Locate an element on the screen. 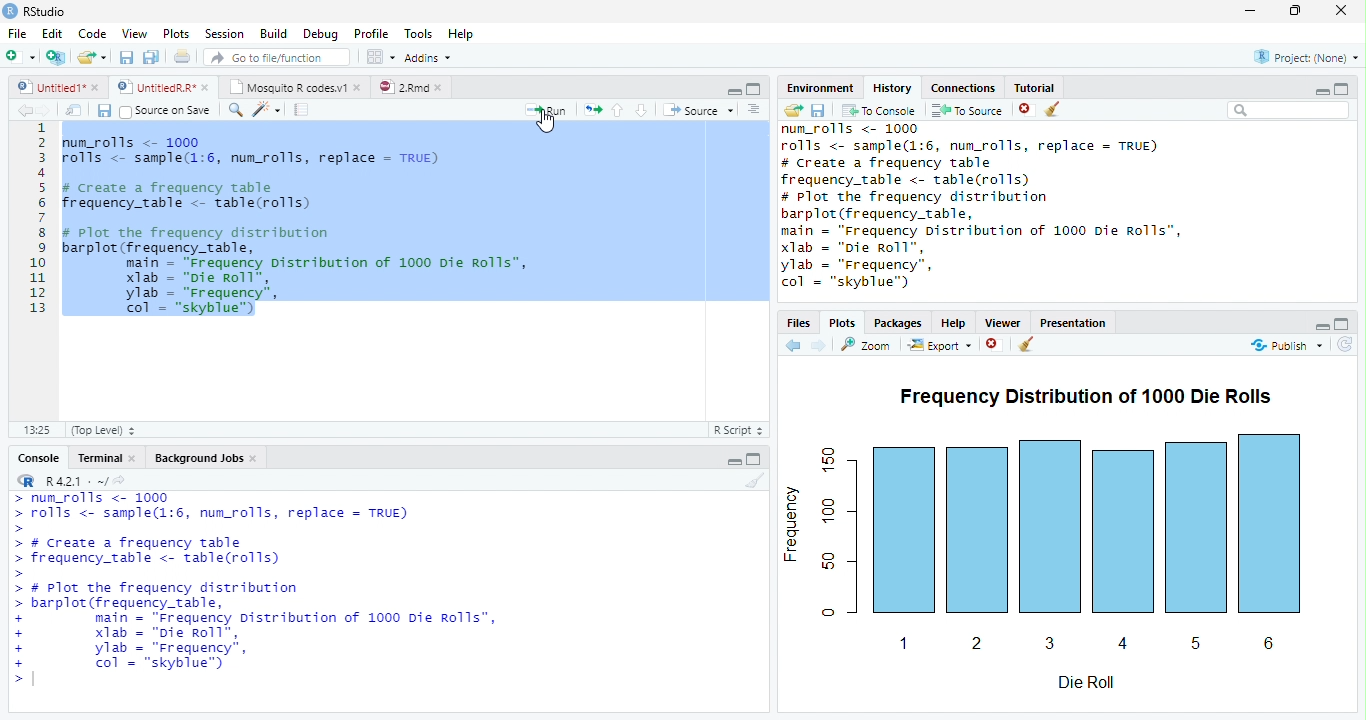  6 is located at coordinates (1270, 643).